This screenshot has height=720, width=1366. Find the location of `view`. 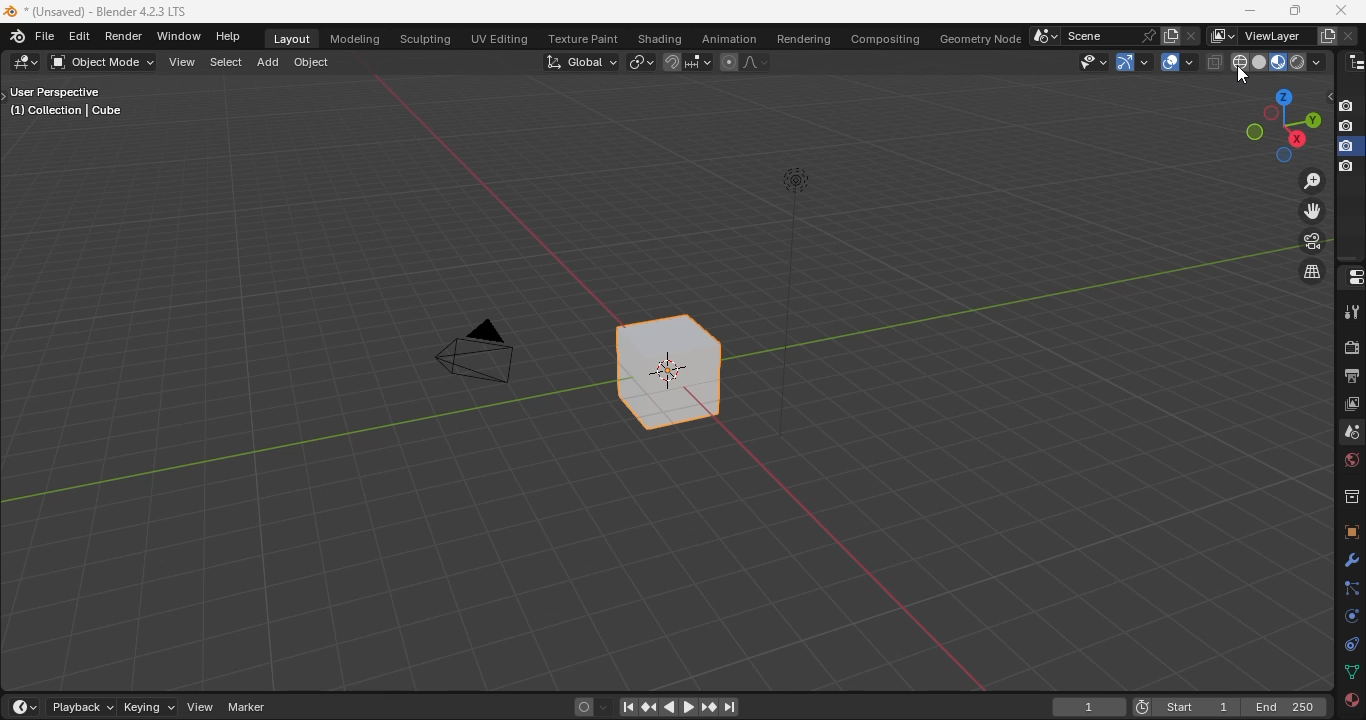

view is located at coordinates (201, 708).